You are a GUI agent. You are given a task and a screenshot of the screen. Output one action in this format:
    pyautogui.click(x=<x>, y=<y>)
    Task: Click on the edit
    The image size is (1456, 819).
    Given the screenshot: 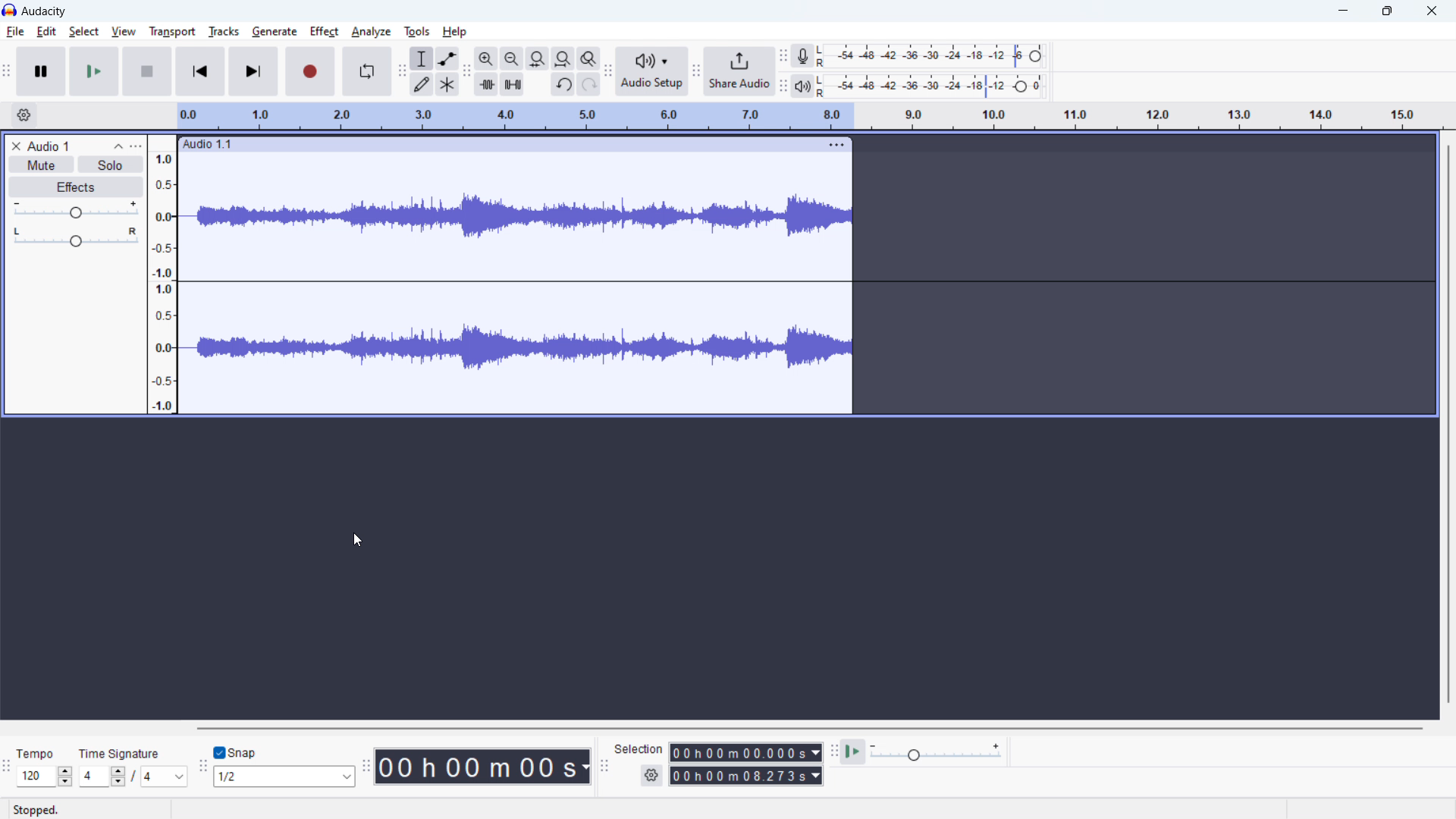 What is the action you would take?
    pyautogui.click(x=47, y=32)
    